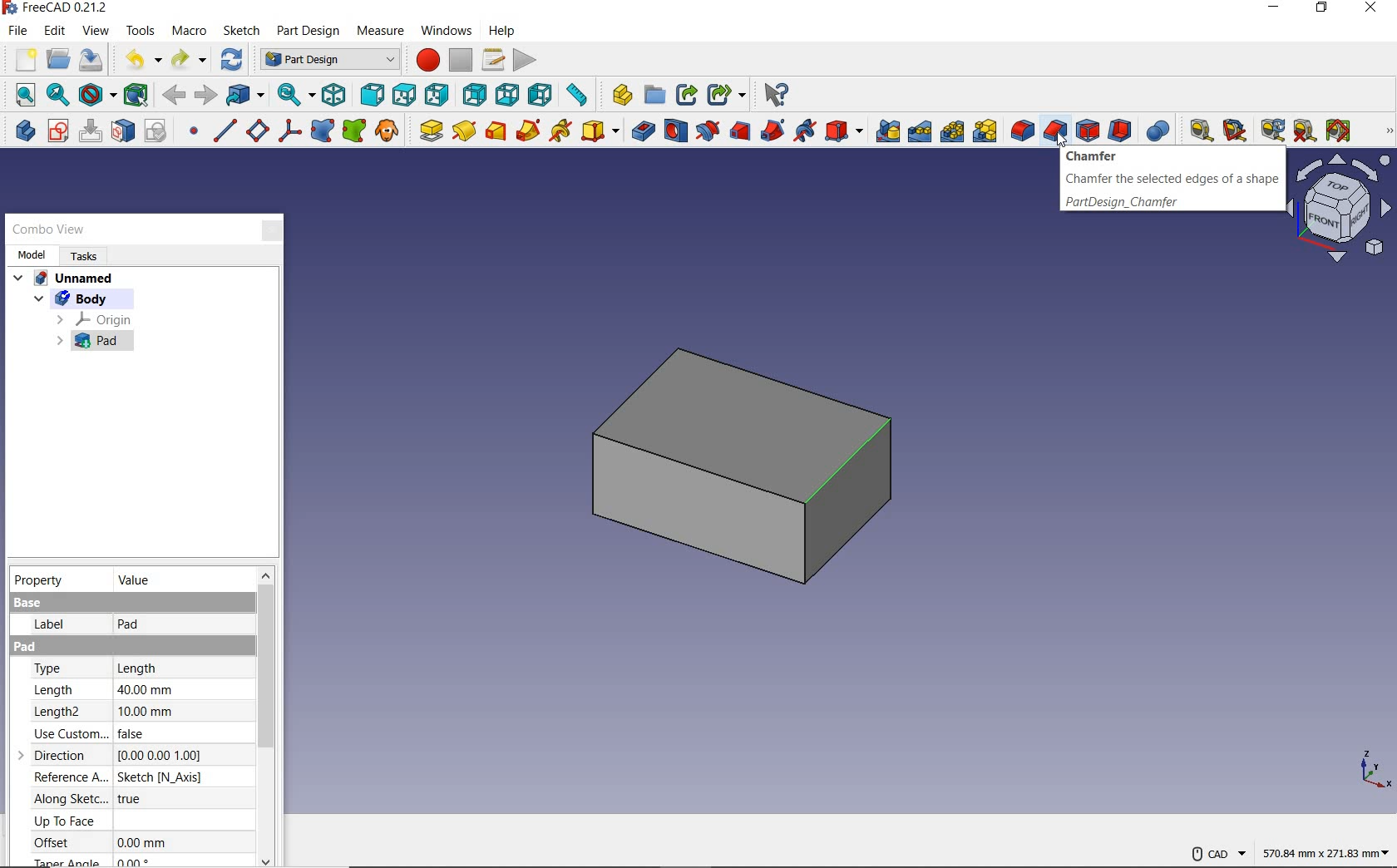 This screenshot has height=868, width=1397. Describe the element at coordinates (429, 131) in the screenshot. I see `pad` at that location.